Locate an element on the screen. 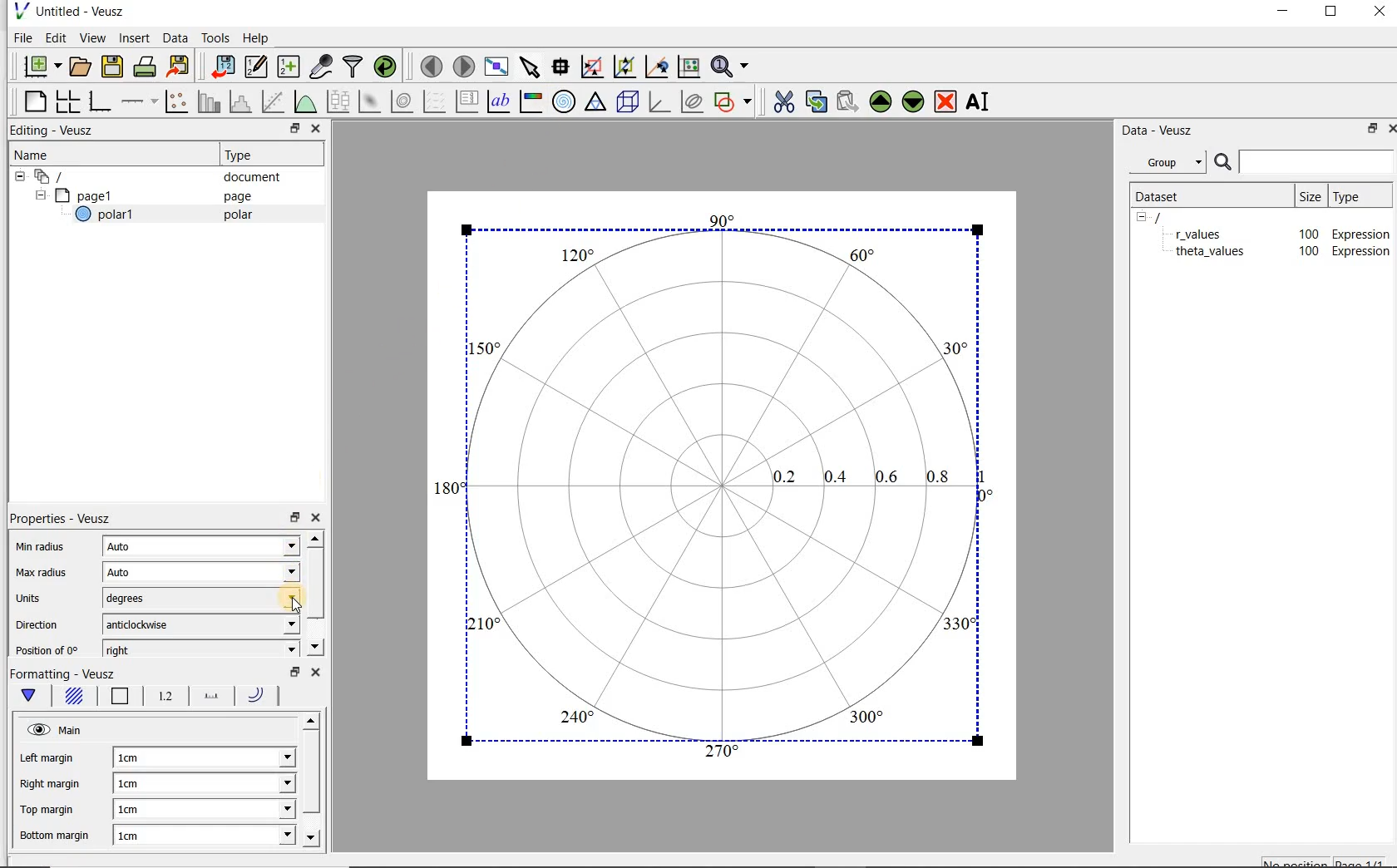 The height and width of the screenshot is (868, 1397). Cursor is located at coordinates (281, 598).